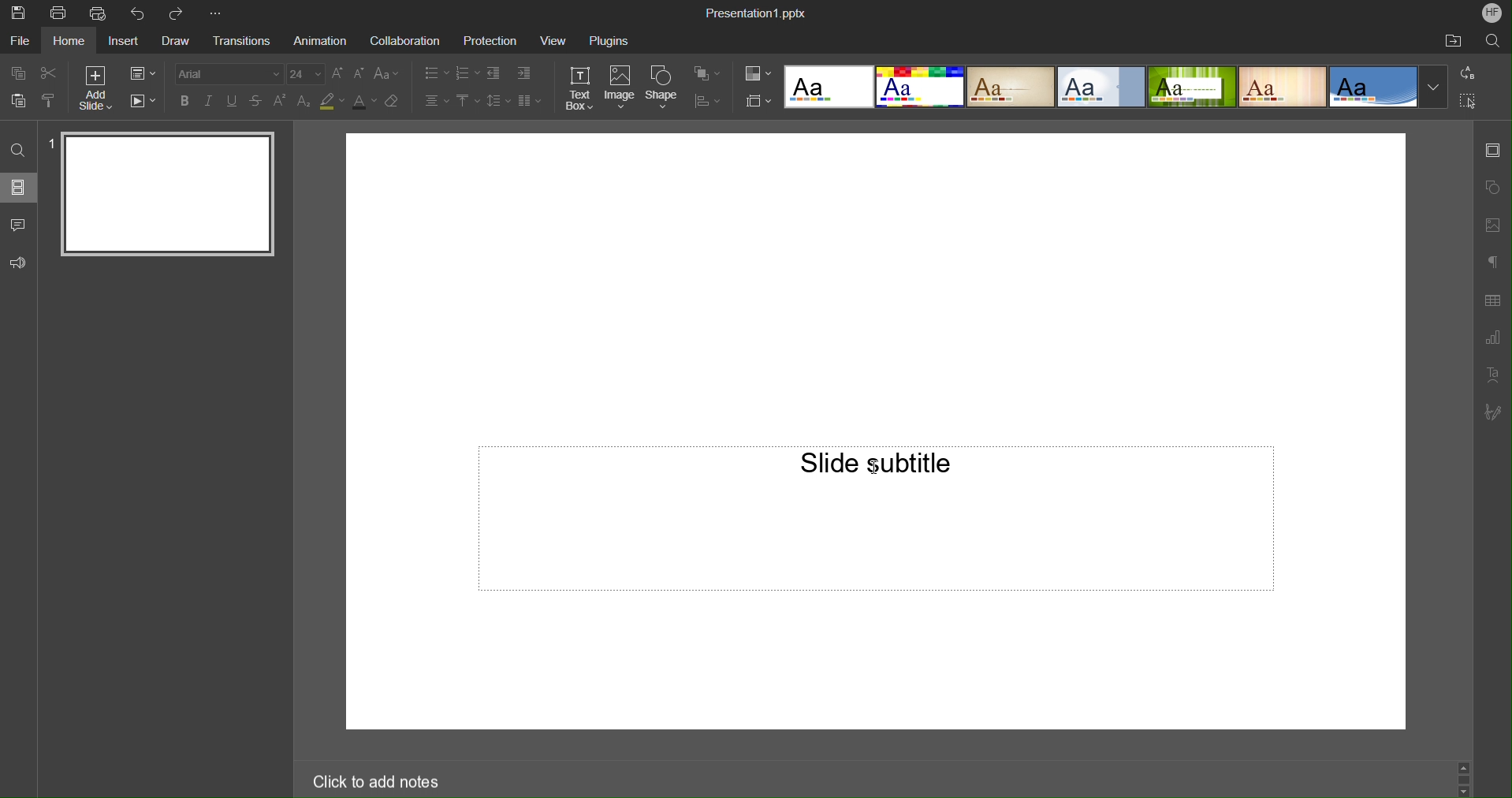 This screenshot has height=798, width=1512. What do you see at coordinates (1433, 88) in the screenshot?
I see `More templates` at bounding box center [1433, 88].